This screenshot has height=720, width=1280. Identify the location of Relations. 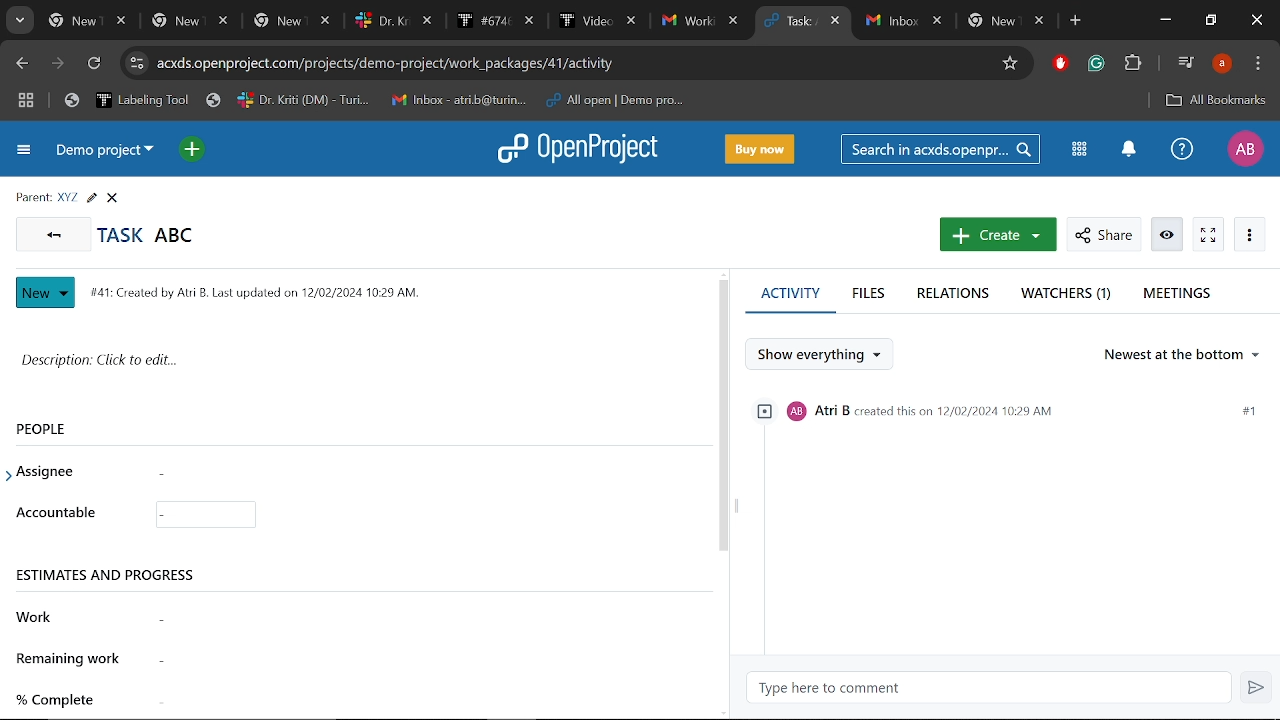
(953, 294).